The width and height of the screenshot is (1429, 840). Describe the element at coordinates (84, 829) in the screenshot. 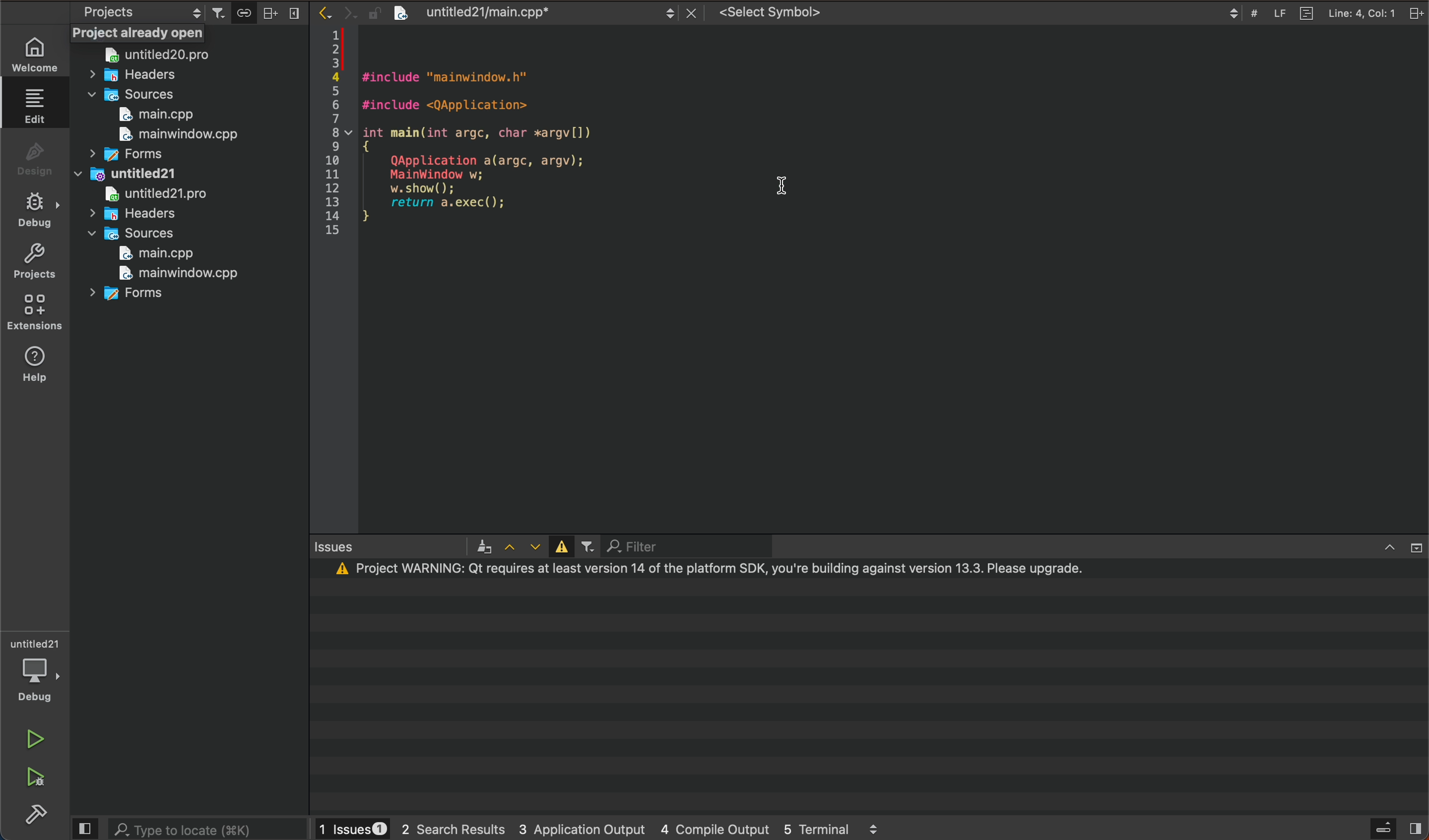

I see `close slidebar` at that location.